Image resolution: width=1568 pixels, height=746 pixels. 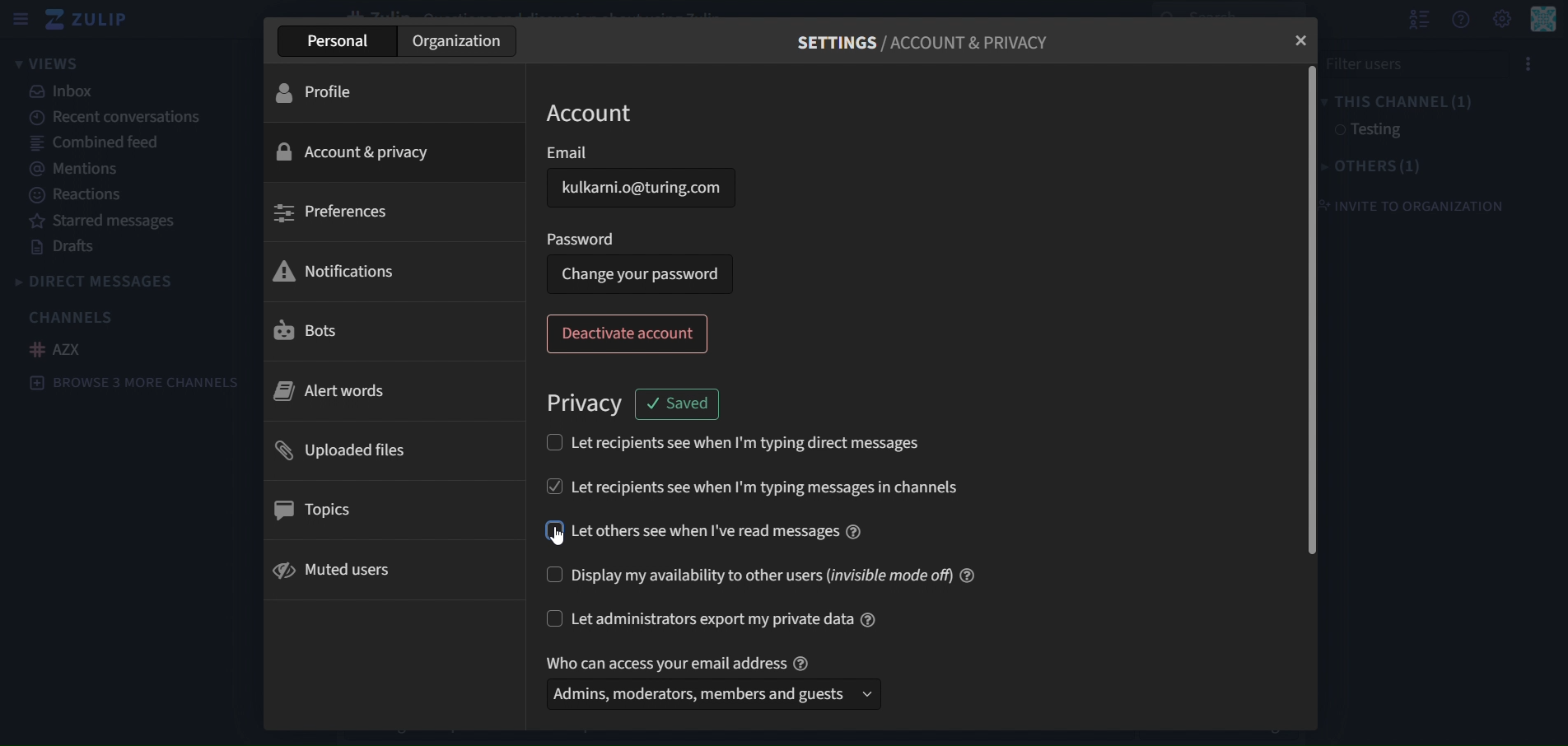 What do you see at coordinates (729, 617) in the screenshot?
I see `let administrators export my private data` at bounding box center [729, 617].